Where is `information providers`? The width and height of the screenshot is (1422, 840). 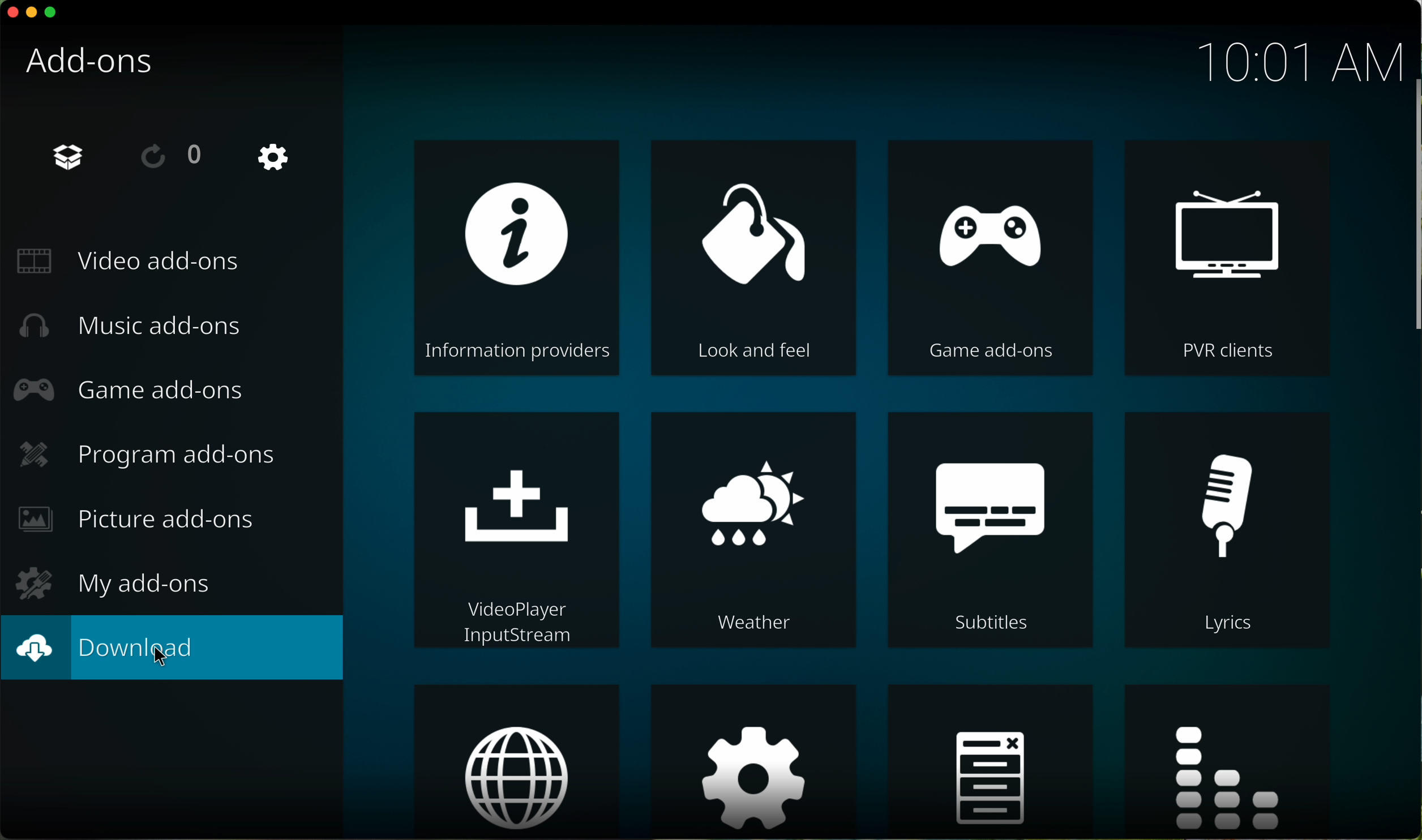 information providers is located at coordinates (518, 258).